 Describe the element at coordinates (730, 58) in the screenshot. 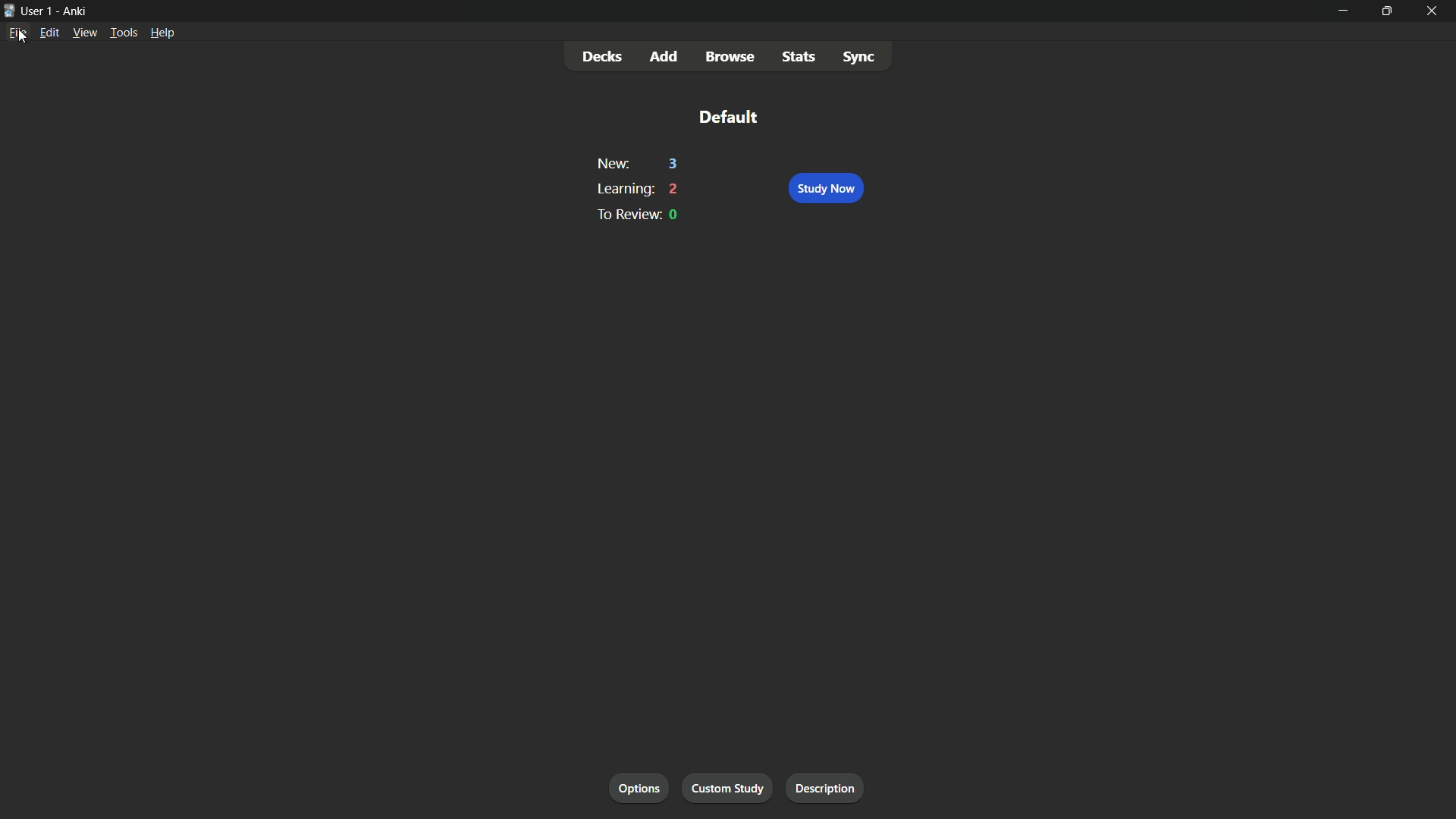

I see `browse` at that location.